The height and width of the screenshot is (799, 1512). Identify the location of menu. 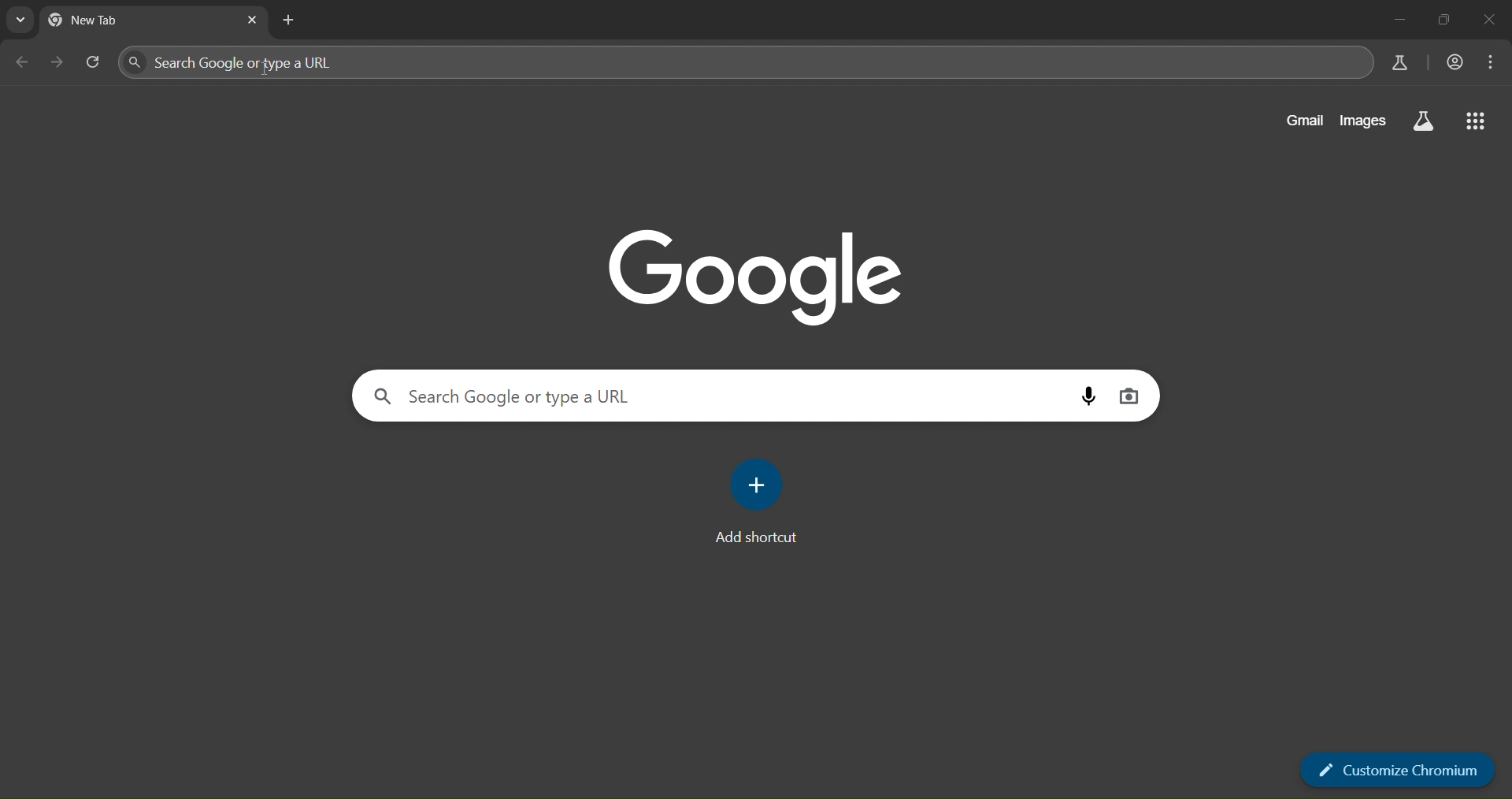
(1494, 62).